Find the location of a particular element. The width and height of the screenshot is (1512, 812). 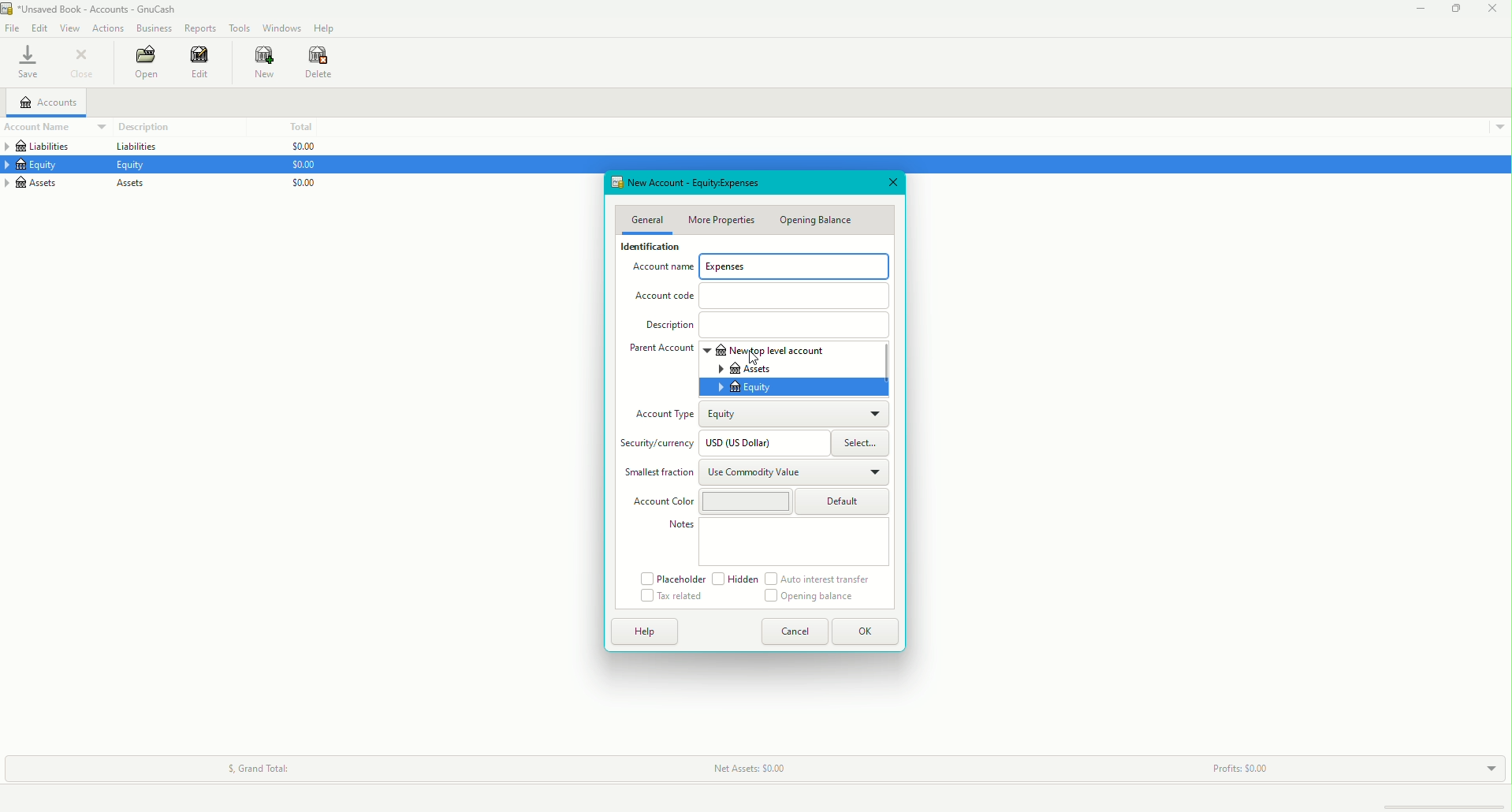

Account Color is located at coordinates (709, 502).